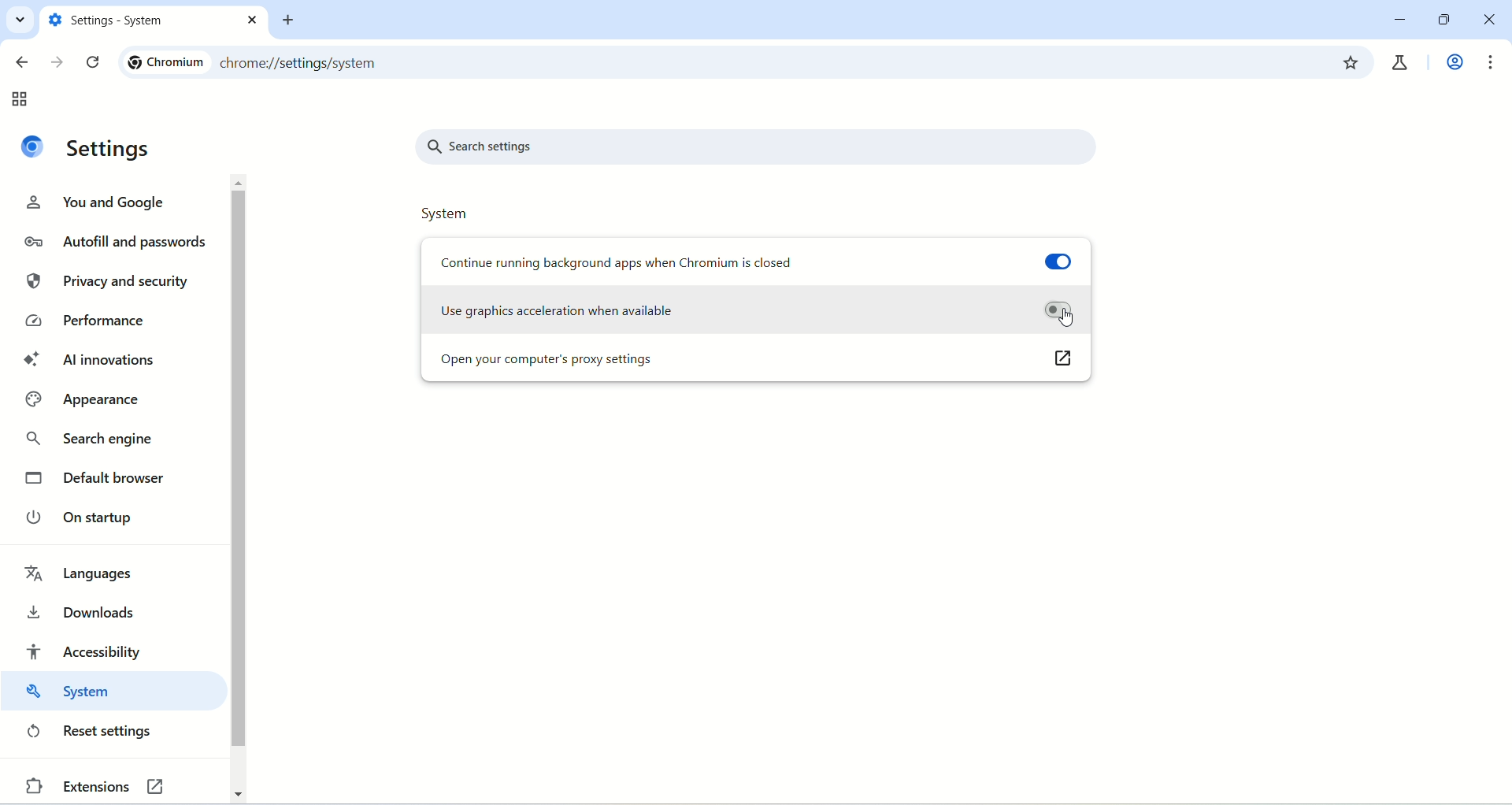  What do you see at coordinates (1452, 64) in the screenshot?
I see `work` at bounding box center [1452, 64].